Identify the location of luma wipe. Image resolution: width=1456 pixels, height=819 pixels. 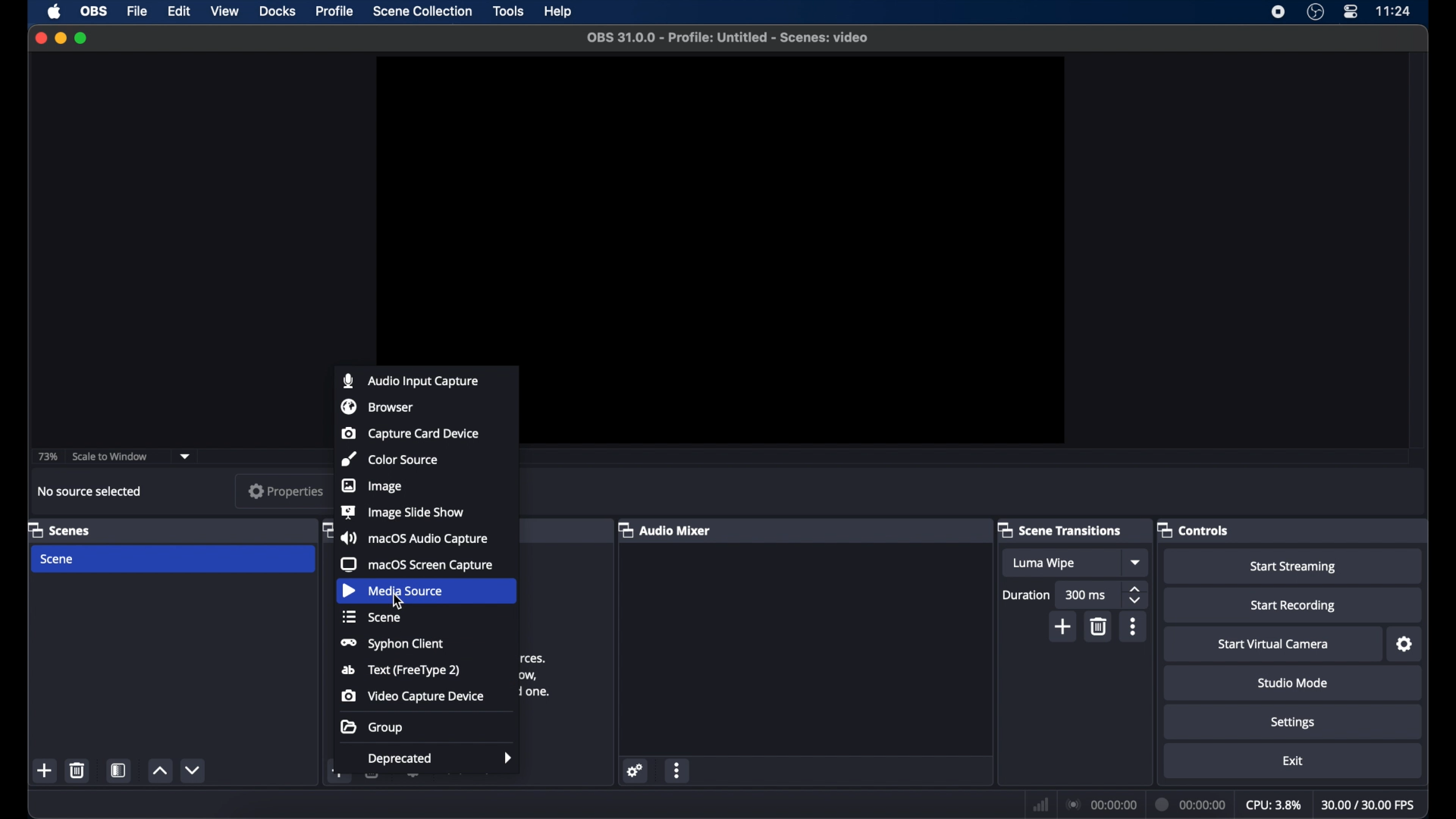
(1043, 564).